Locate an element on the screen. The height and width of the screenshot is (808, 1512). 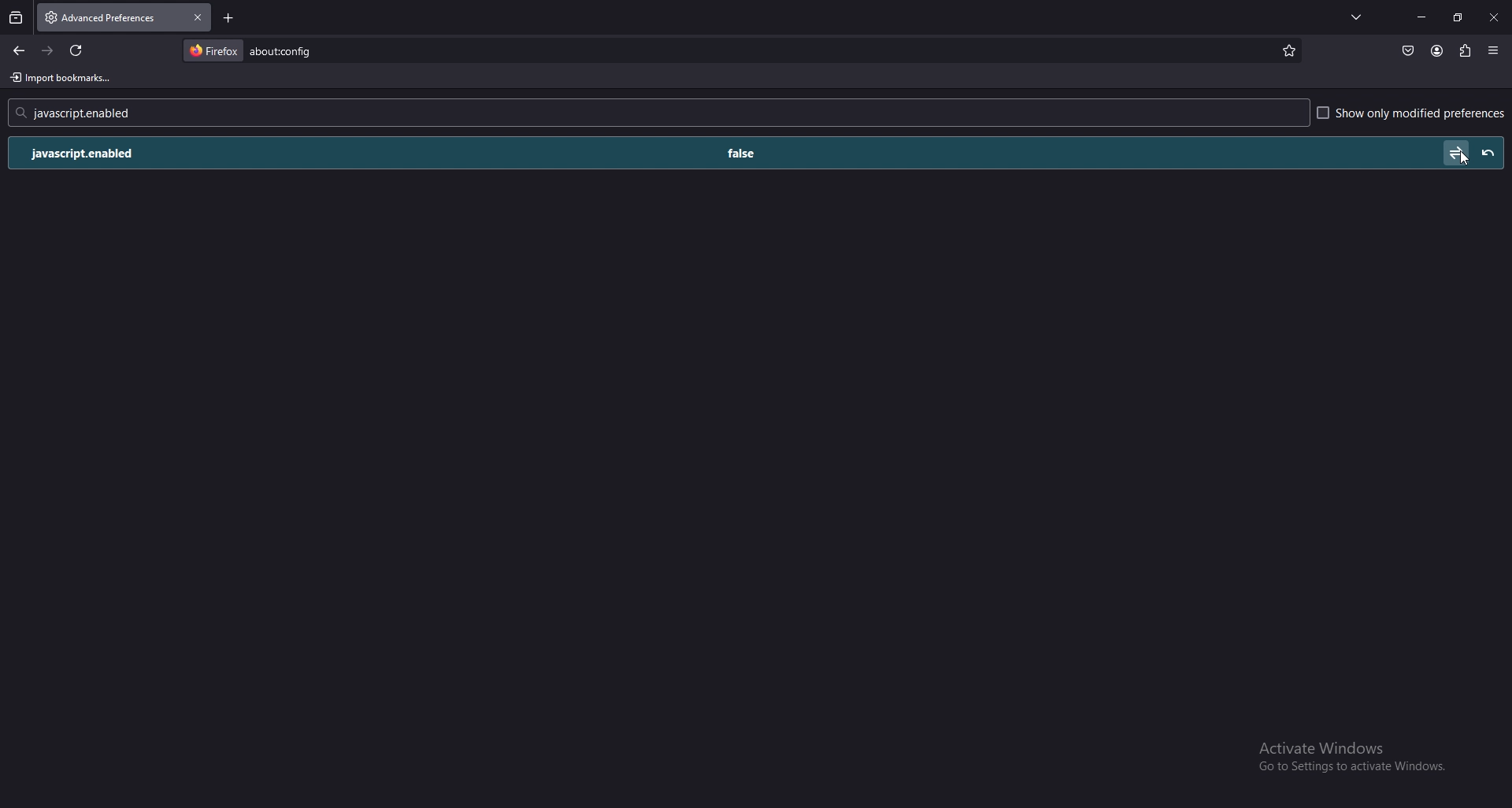
close tab is located at coordinates (197, 17).